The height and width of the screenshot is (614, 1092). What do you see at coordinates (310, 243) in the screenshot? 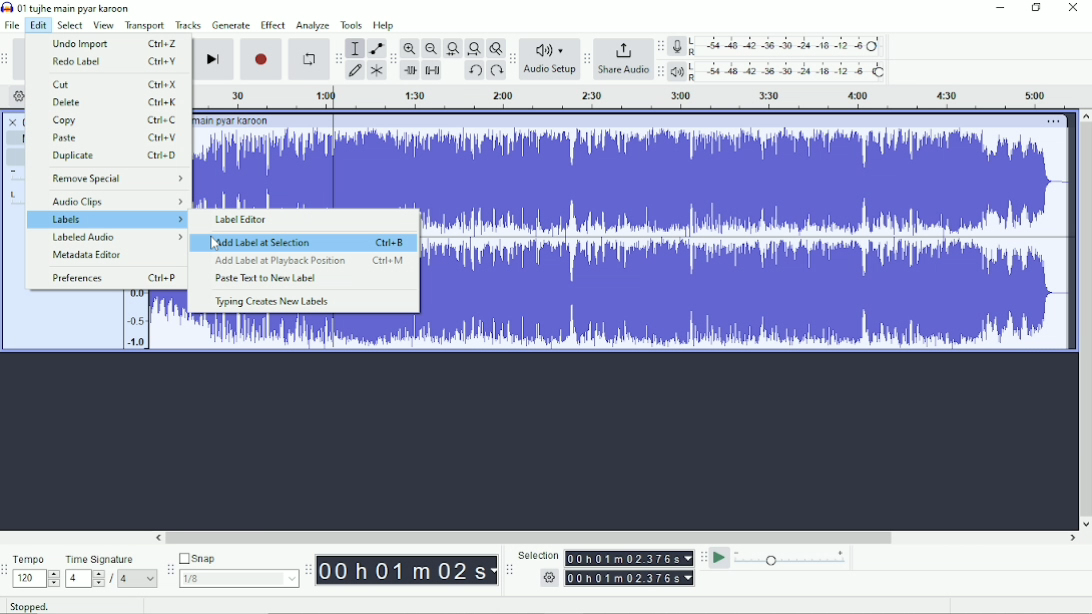
I see `Add Label at Selection` at bounding box center [310, 243].